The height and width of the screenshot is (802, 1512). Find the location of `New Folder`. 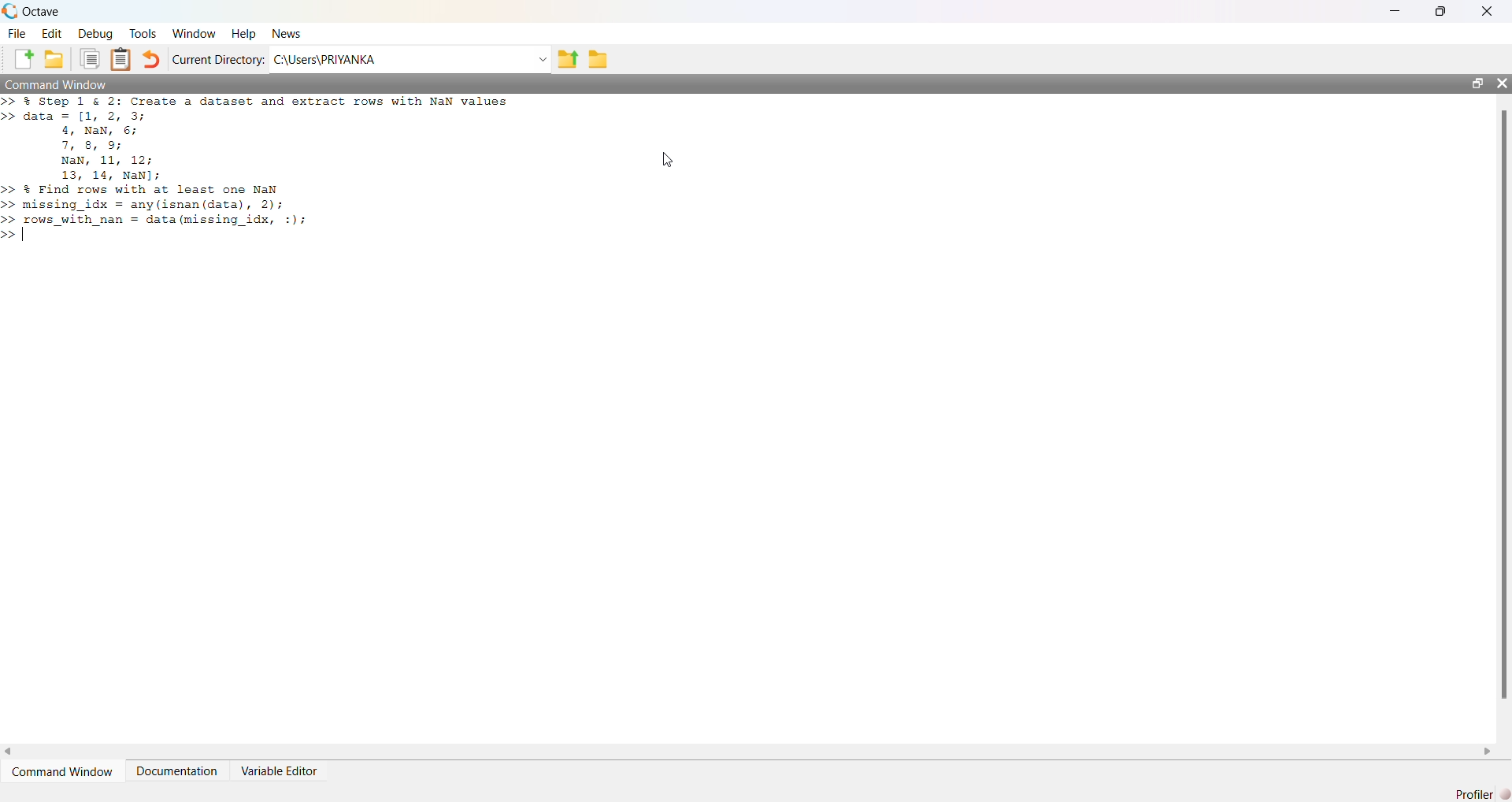

New Folder is located at coordinates (54, 59).